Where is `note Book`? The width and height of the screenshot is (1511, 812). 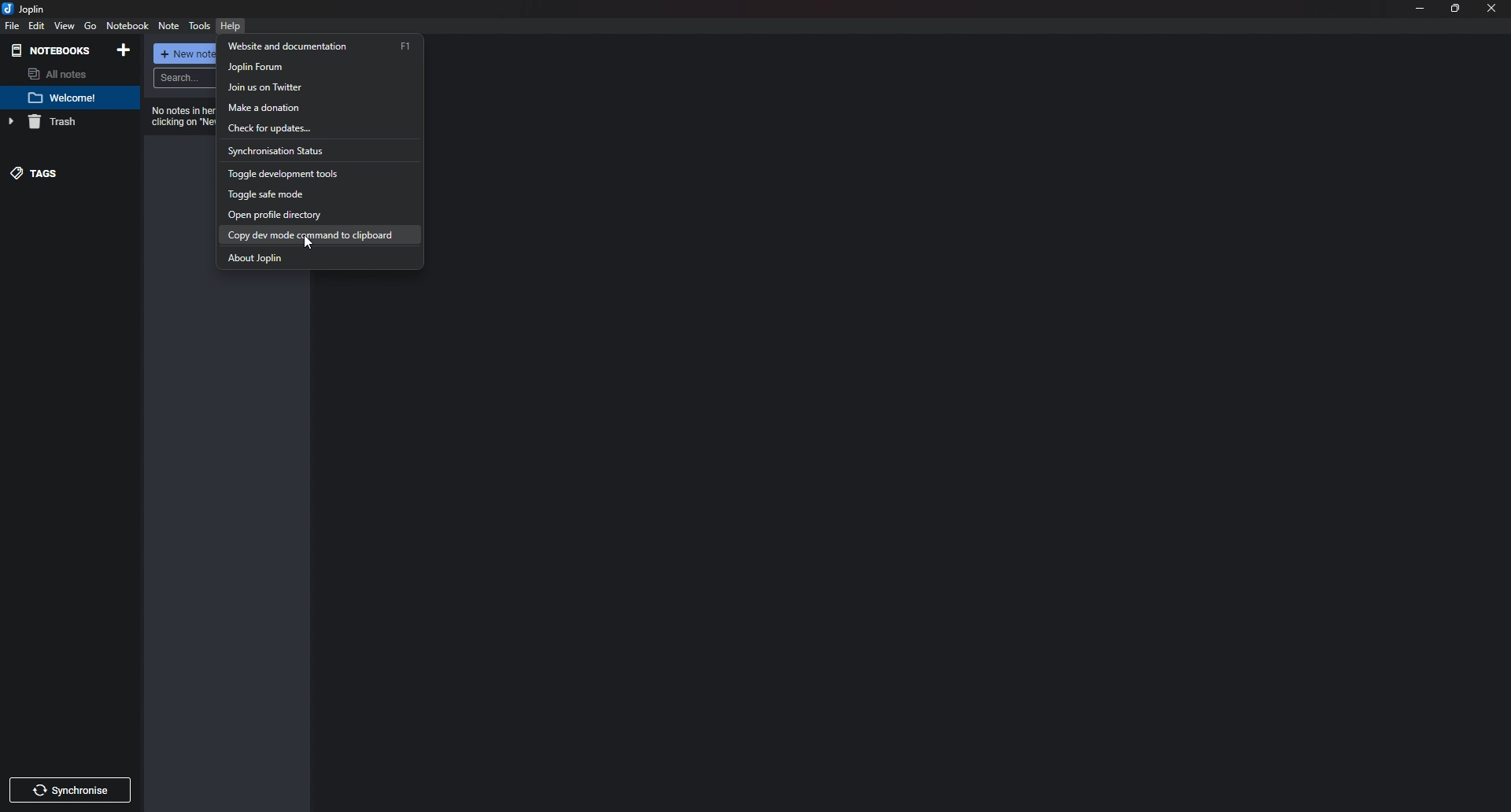
note Book is located at coordinates (127, 26).